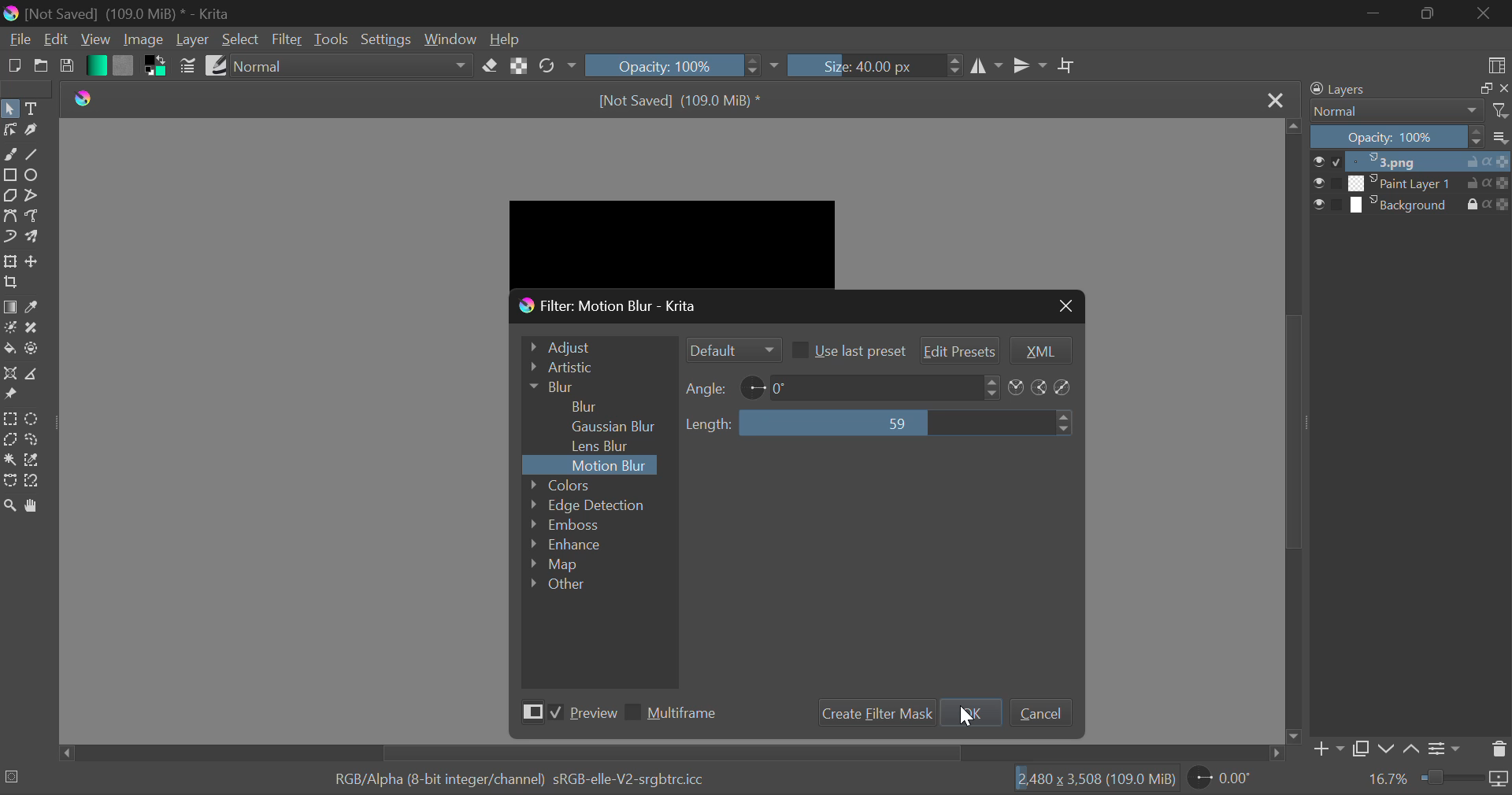 This screenshot has height=795, width=1512. I want to click on Crop, so click(1067, 66).